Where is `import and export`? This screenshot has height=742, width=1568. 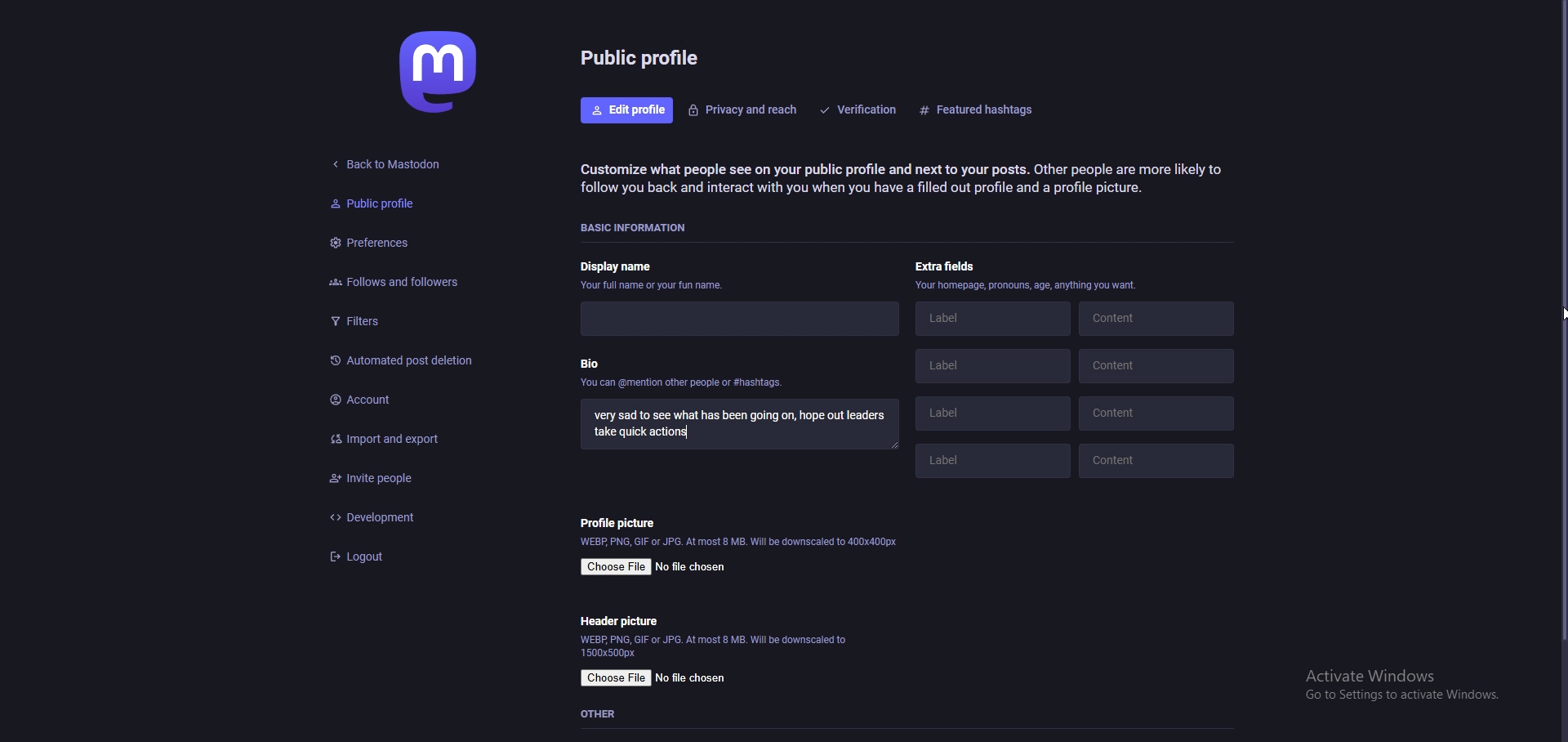
import and export is located at coordinates (413, 440).